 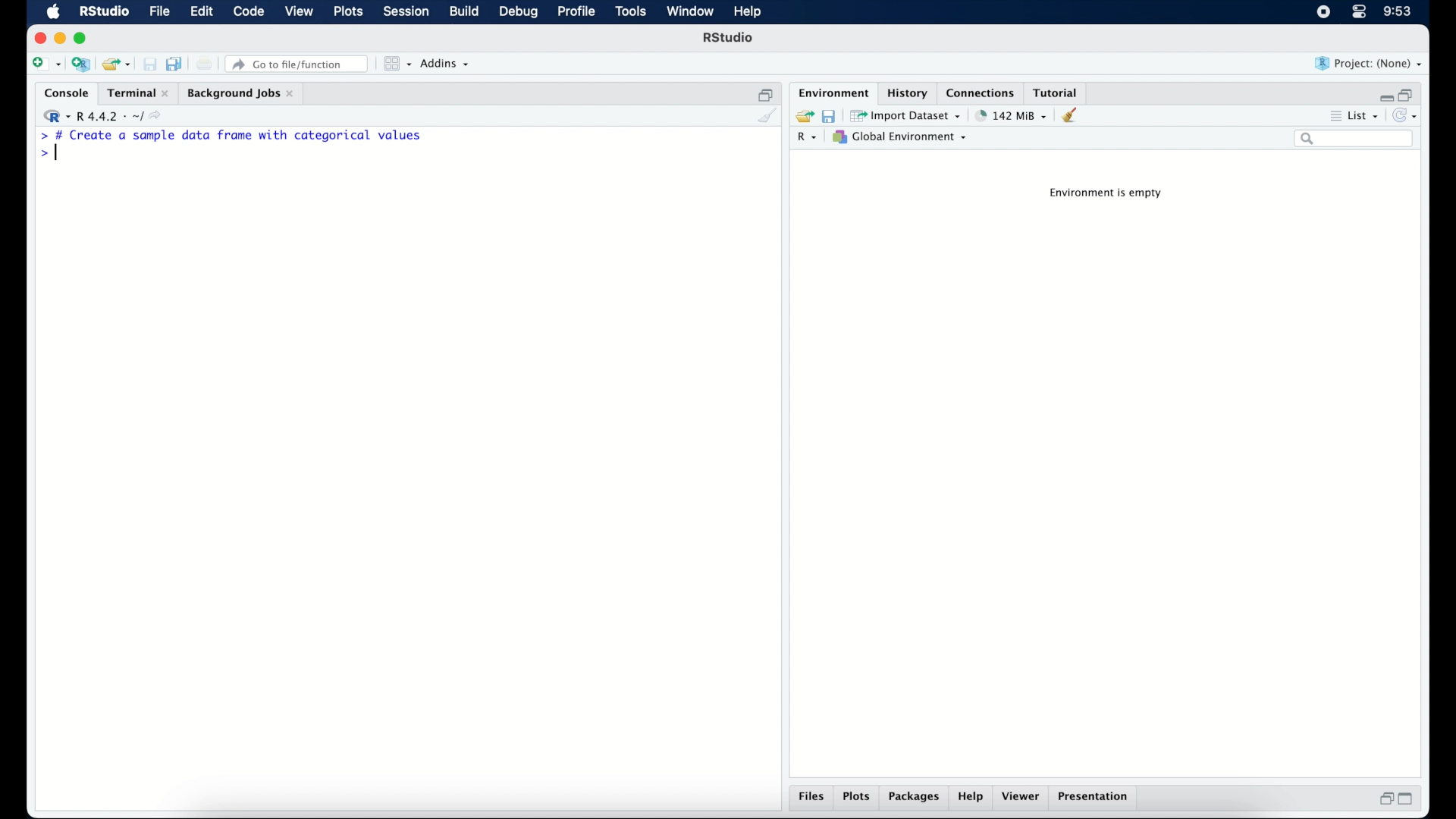 I want to click on build, so click(x=465, y=12).